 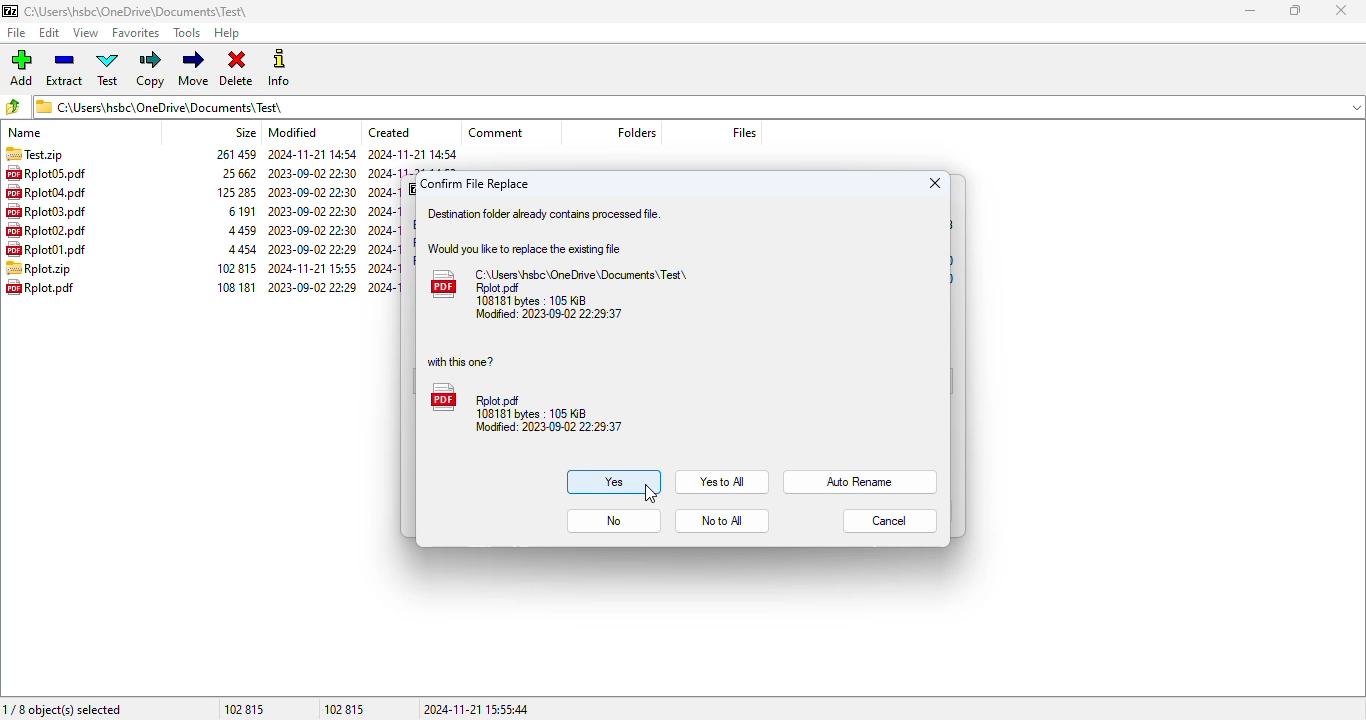 What do you see at coordinates (1251, 11) in the screenshot?
I see `minimize` at bounding box center [1251, 11].